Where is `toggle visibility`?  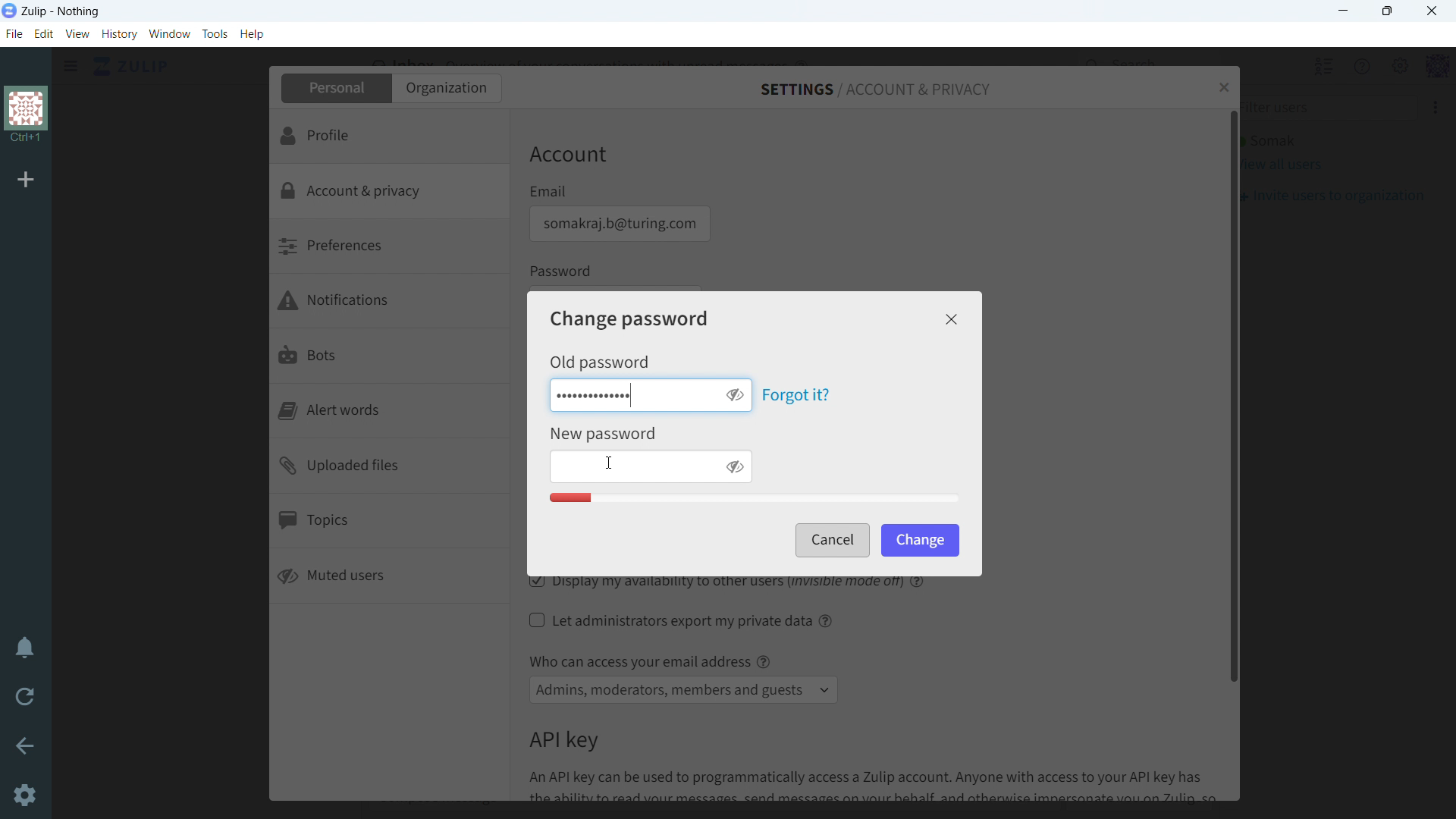
toggle visibility is located at coordinates (733, 395).